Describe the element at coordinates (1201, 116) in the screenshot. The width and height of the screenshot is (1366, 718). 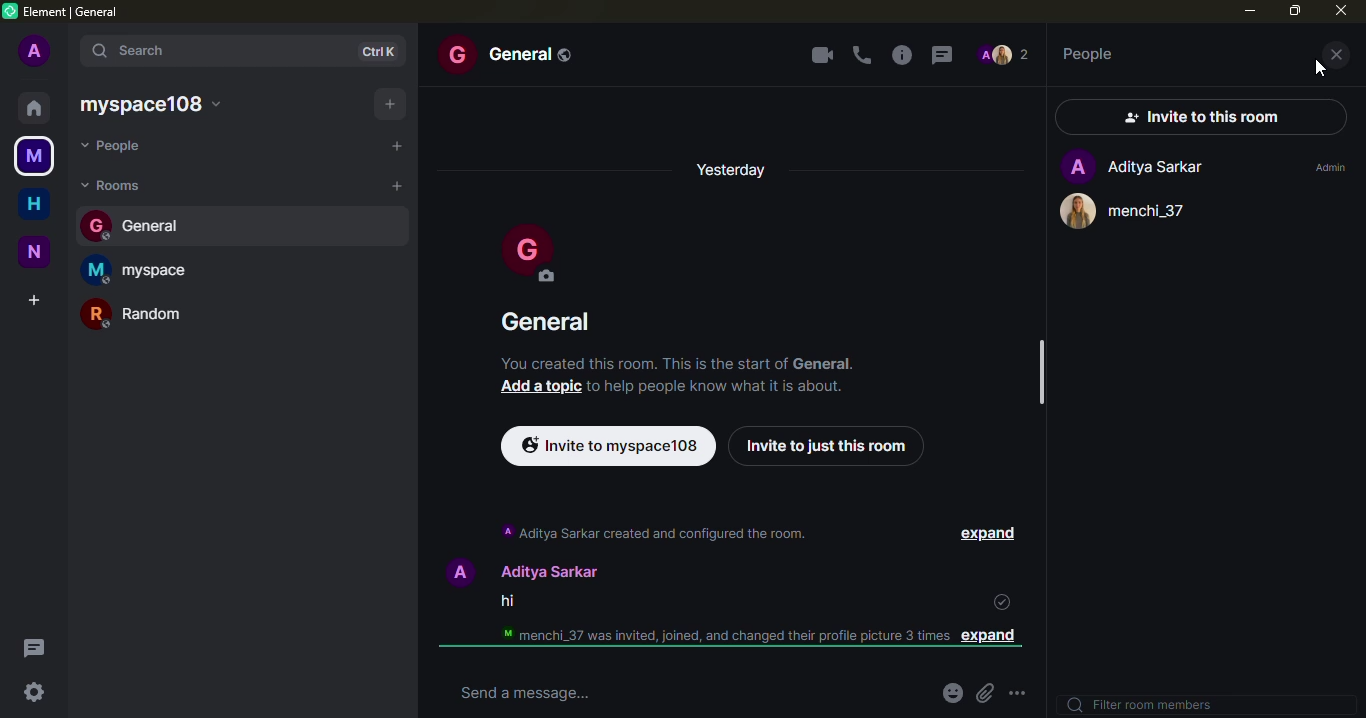
I see `invite to this room` at that location.